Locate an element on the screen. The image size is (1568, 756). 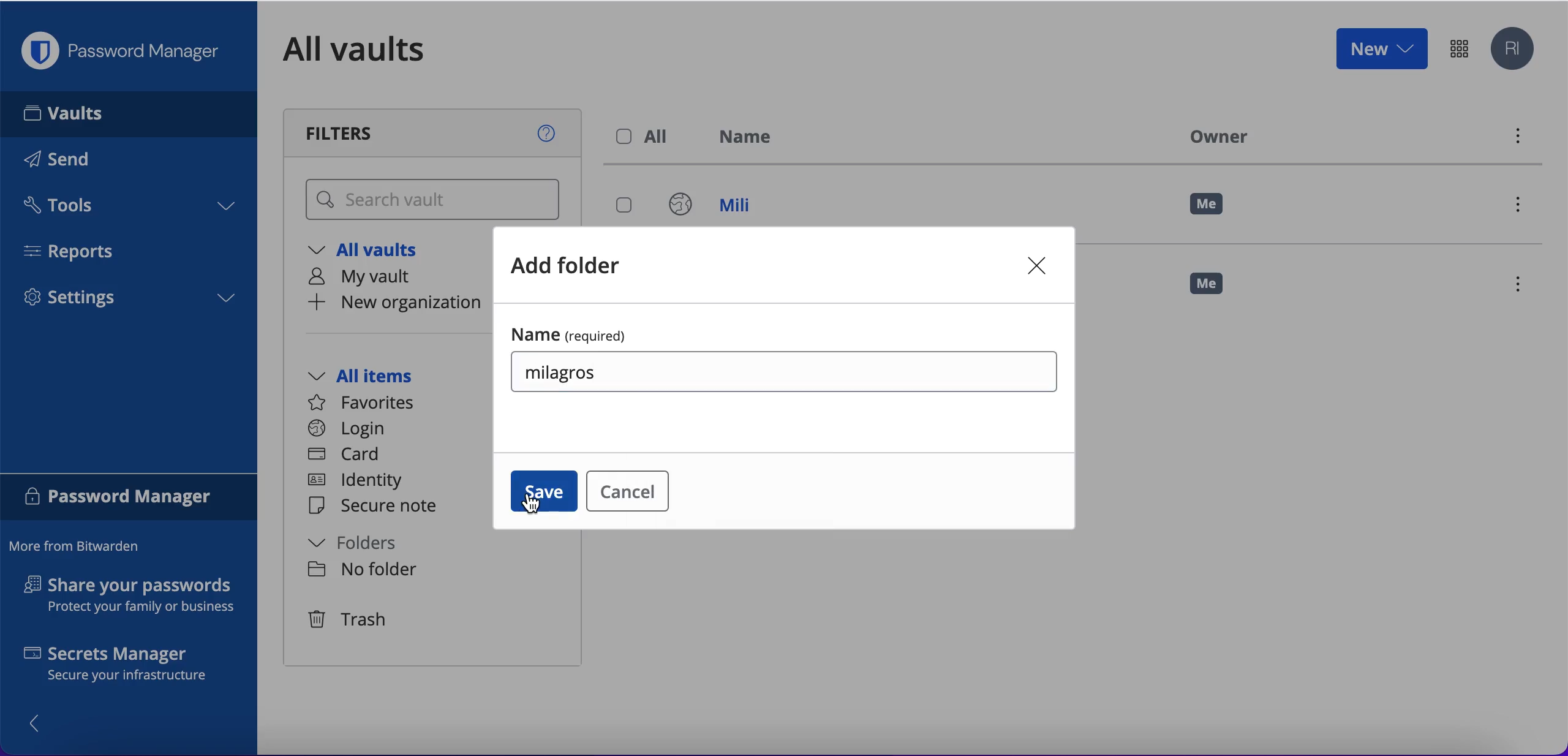
secrets manager secure your infrastructure is located at coordinates (129, 667).